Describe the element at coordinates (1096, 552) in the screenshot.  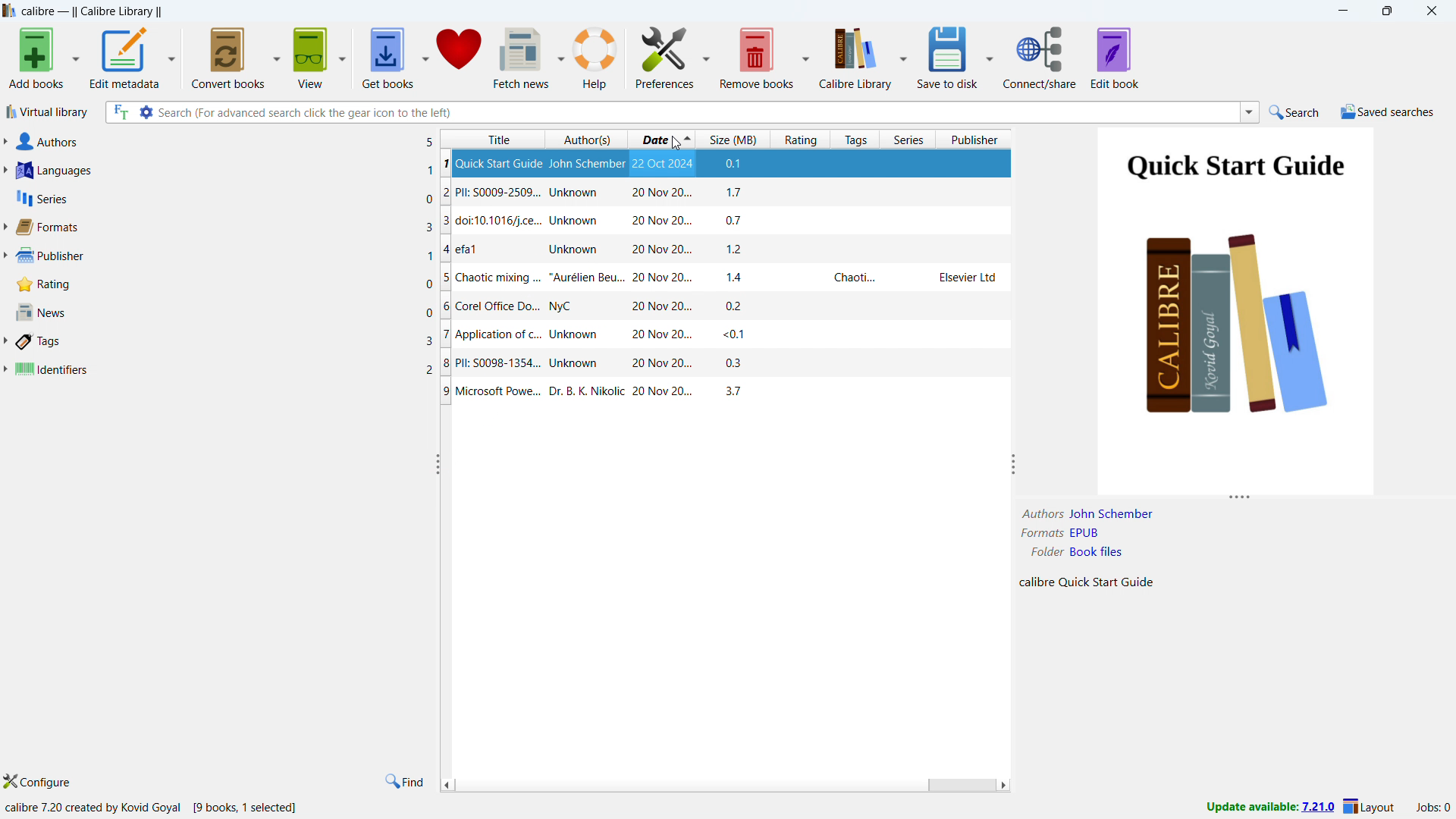
I see `Book File` at that location.